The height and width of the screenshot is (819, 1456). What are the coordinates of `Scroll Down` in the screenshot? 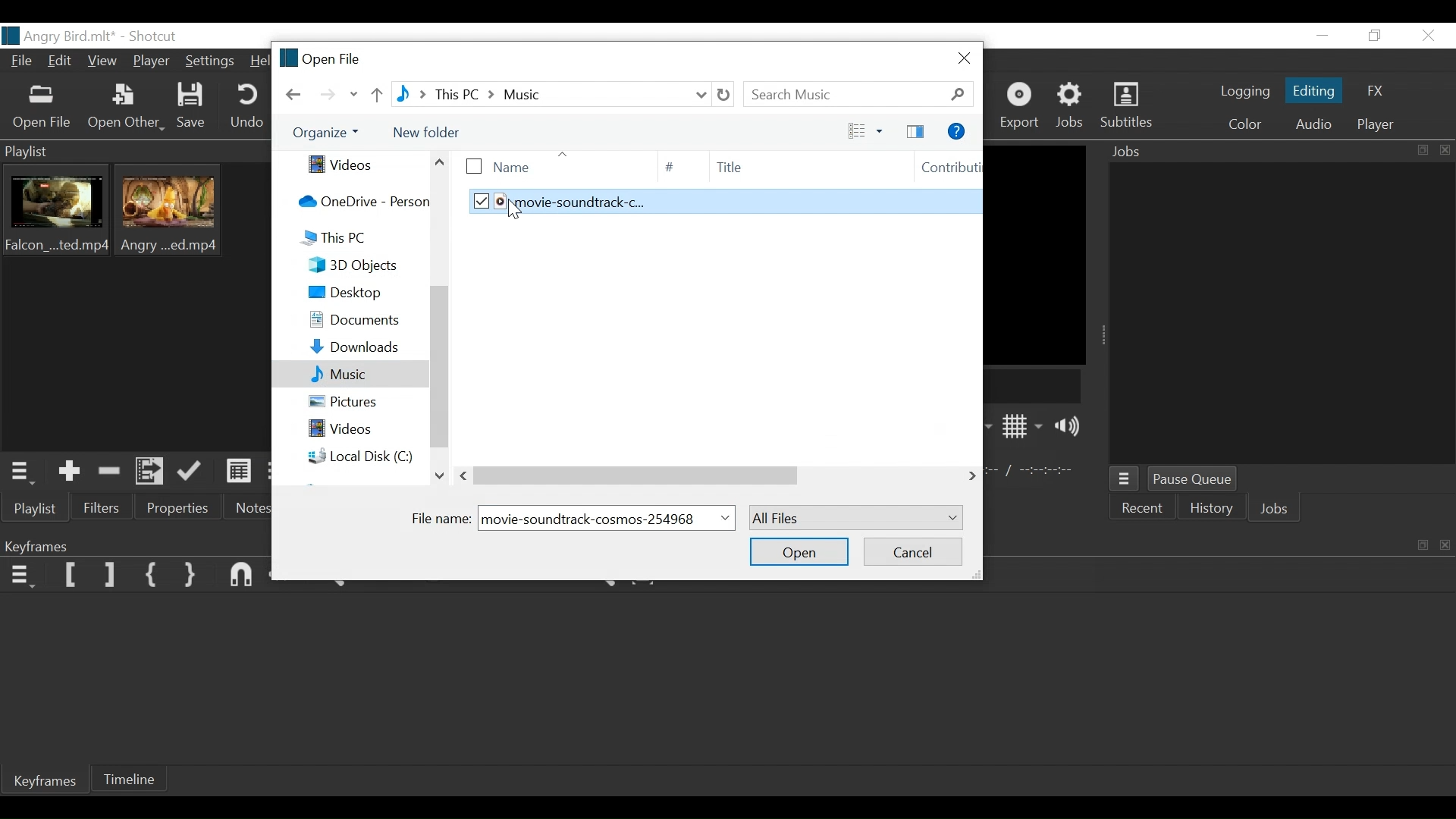 It's located at (439, 474).